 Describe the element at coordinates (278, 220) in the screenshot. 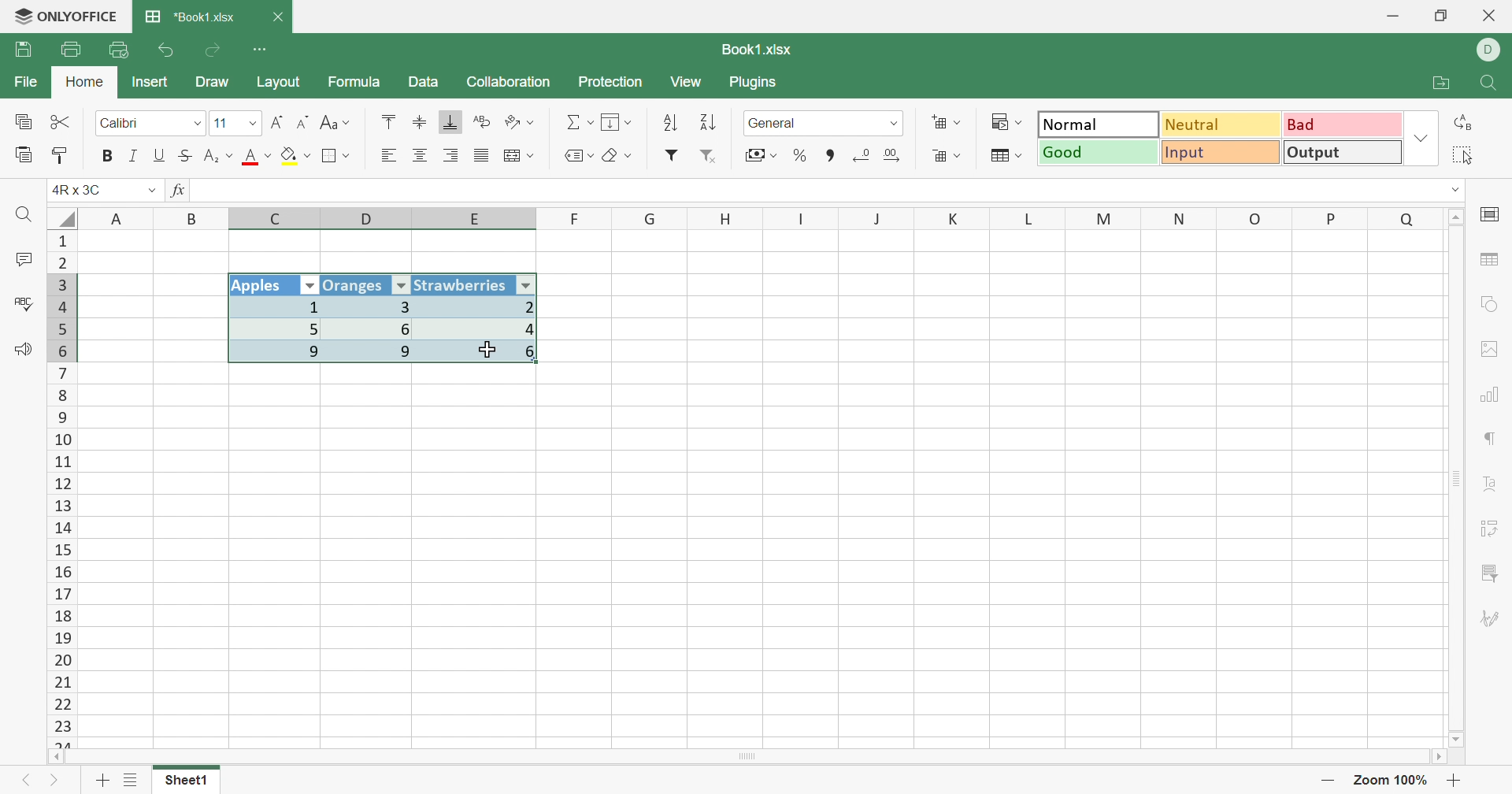

I see `C` at that location.